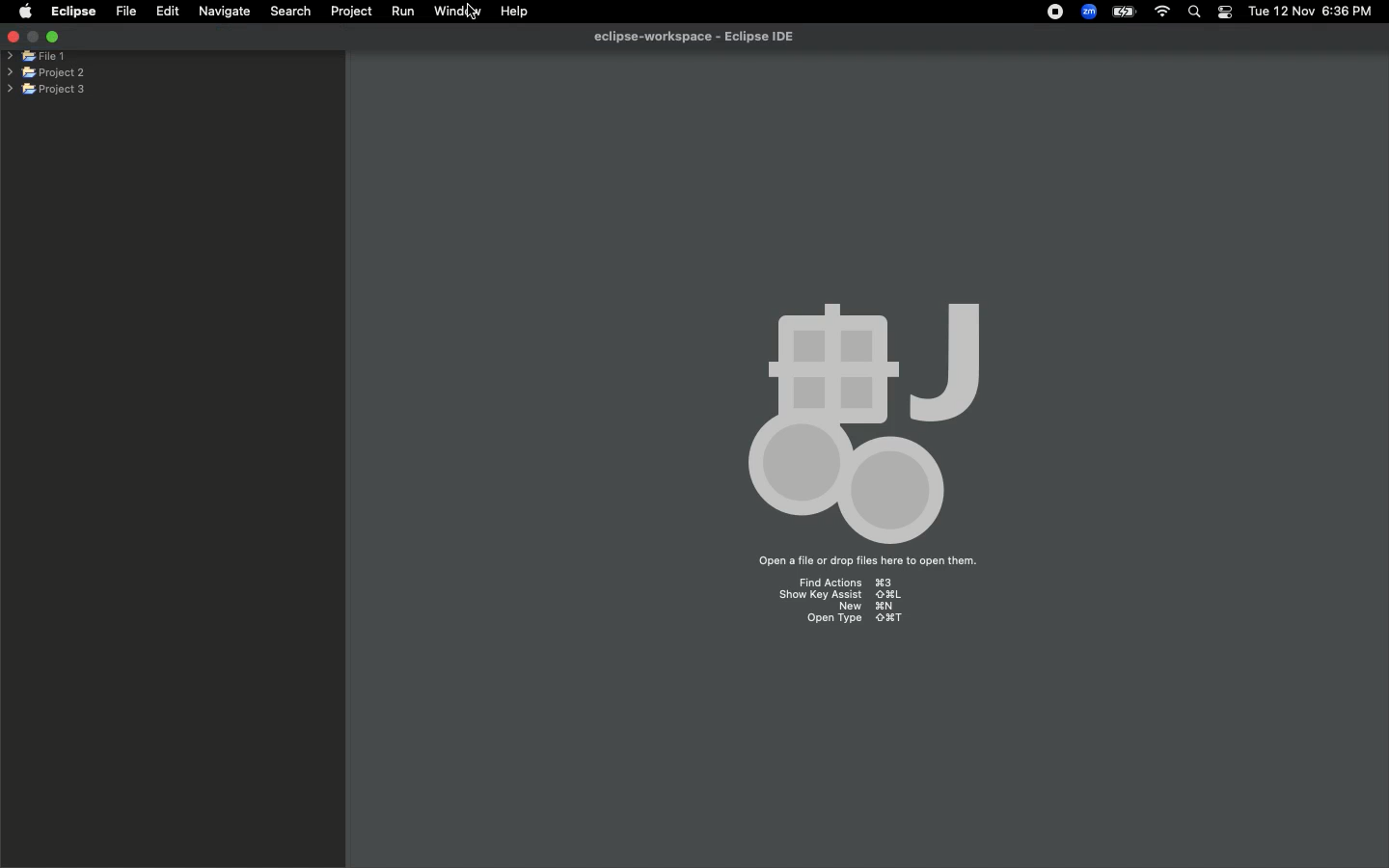  What do you see at coordinates (47, 70) in the screenshot?
I see `Projects` at bounding box center [47, 70].